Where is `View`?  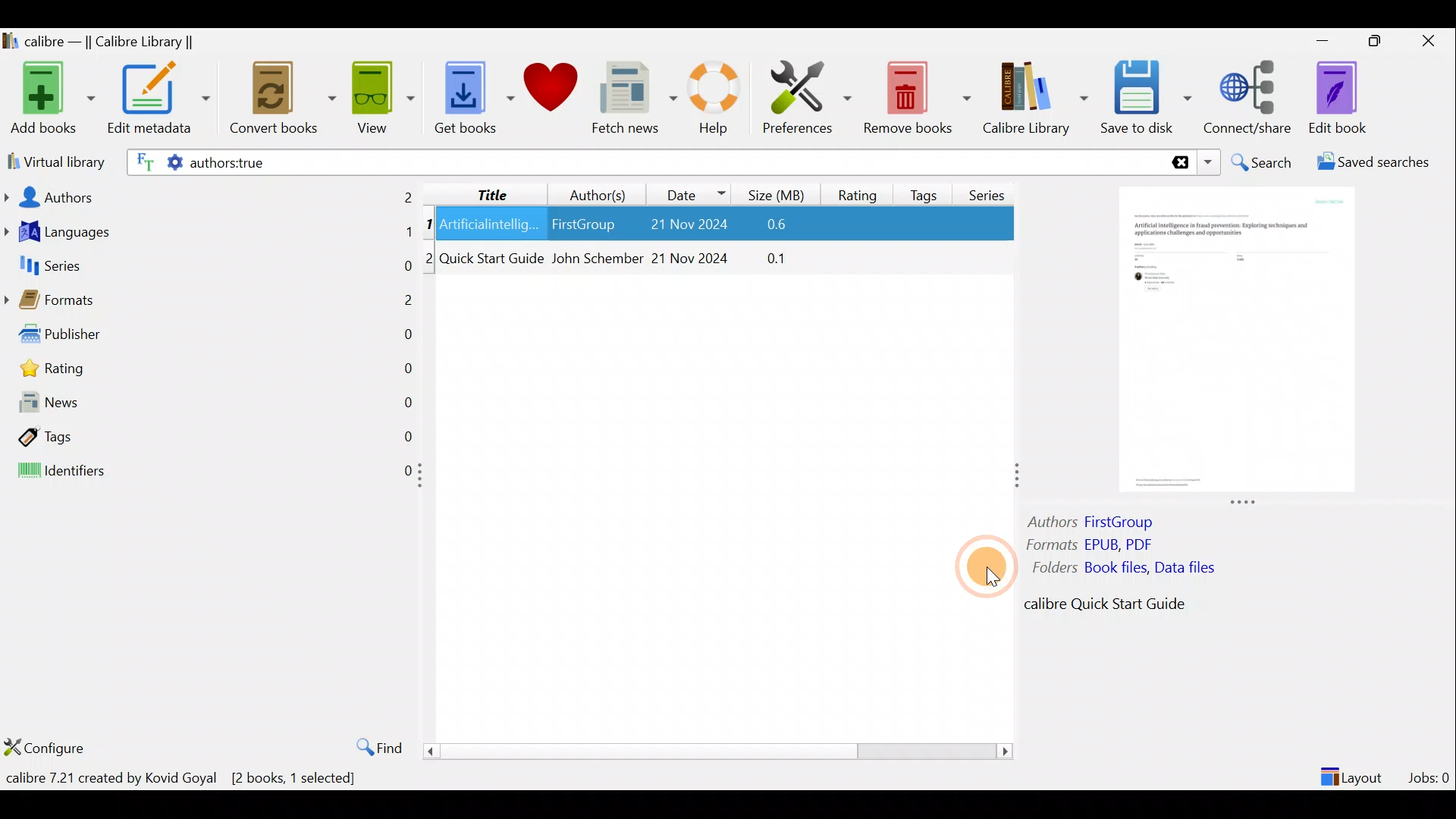 View is located at coordinates (381, 96).